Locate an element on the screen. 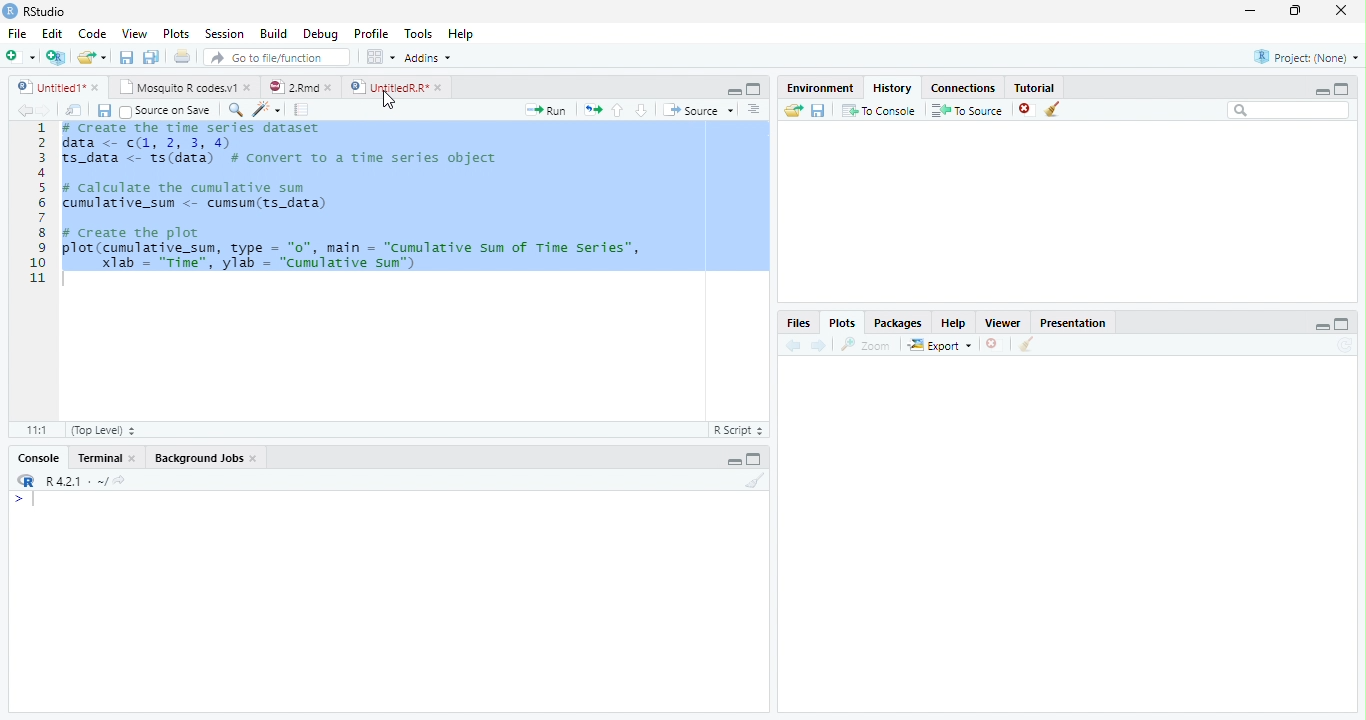 The height and width of the screenshot is (720, 1366). Mosquito R codes is located at coordinates (187, 86).